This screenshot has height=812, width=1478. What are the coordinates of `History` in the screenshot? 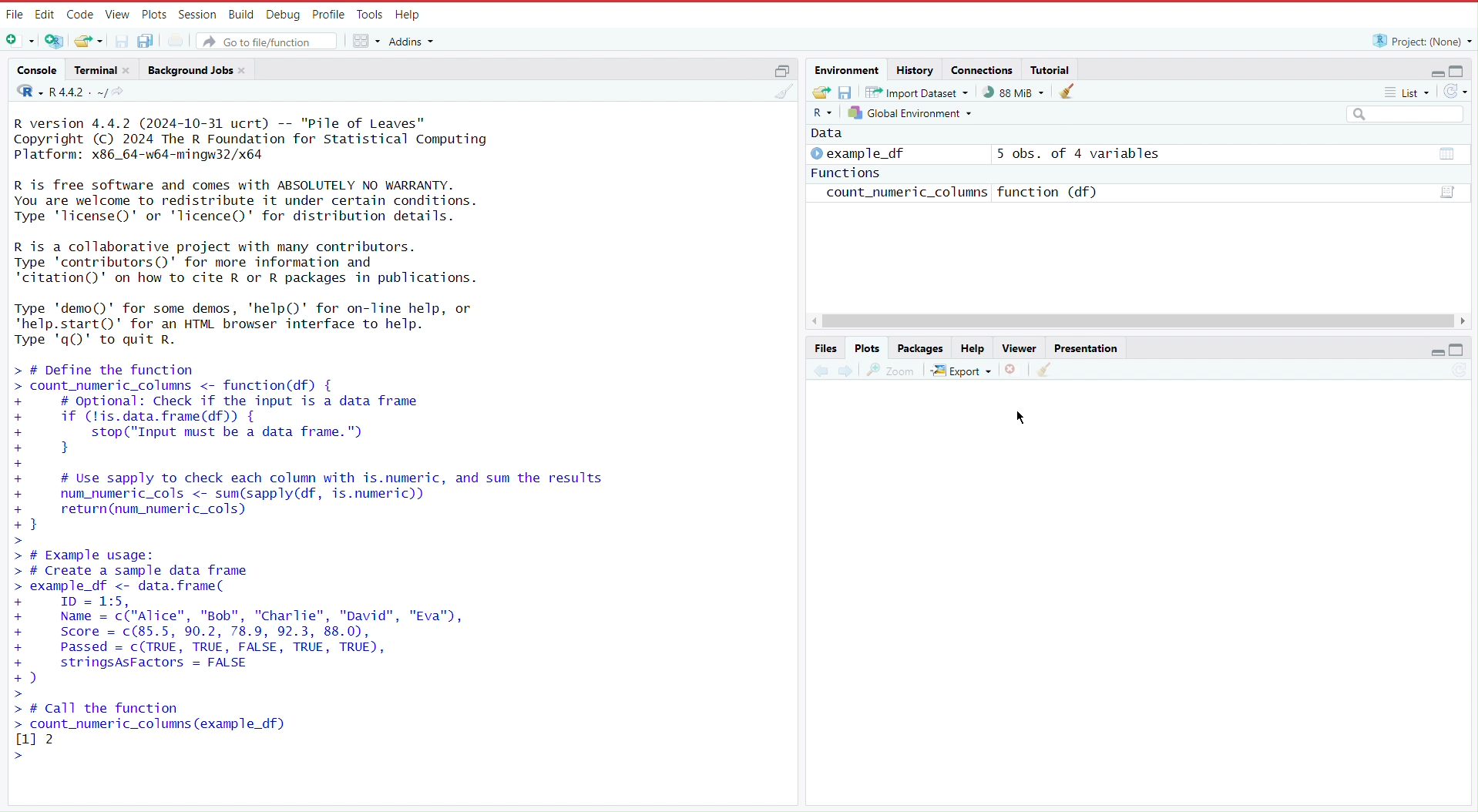 It's located at (915, 69).